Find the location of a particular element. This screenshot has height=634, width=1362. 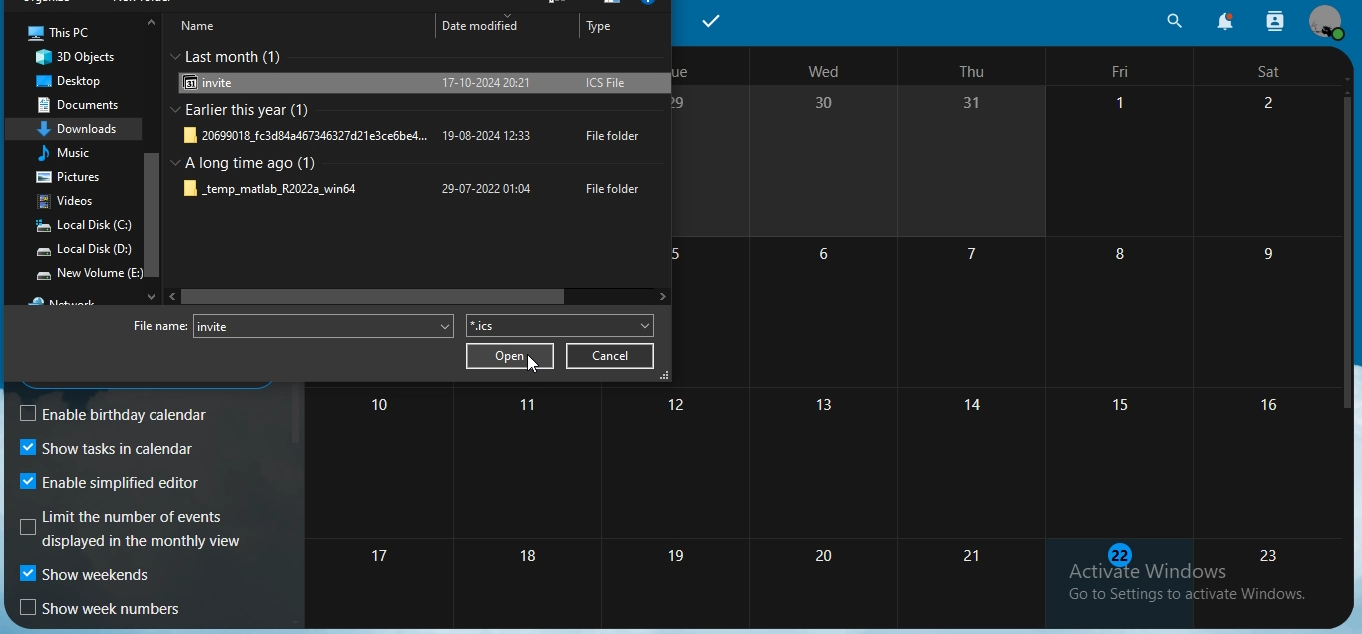

cancel is located at coordinates (613, 356).